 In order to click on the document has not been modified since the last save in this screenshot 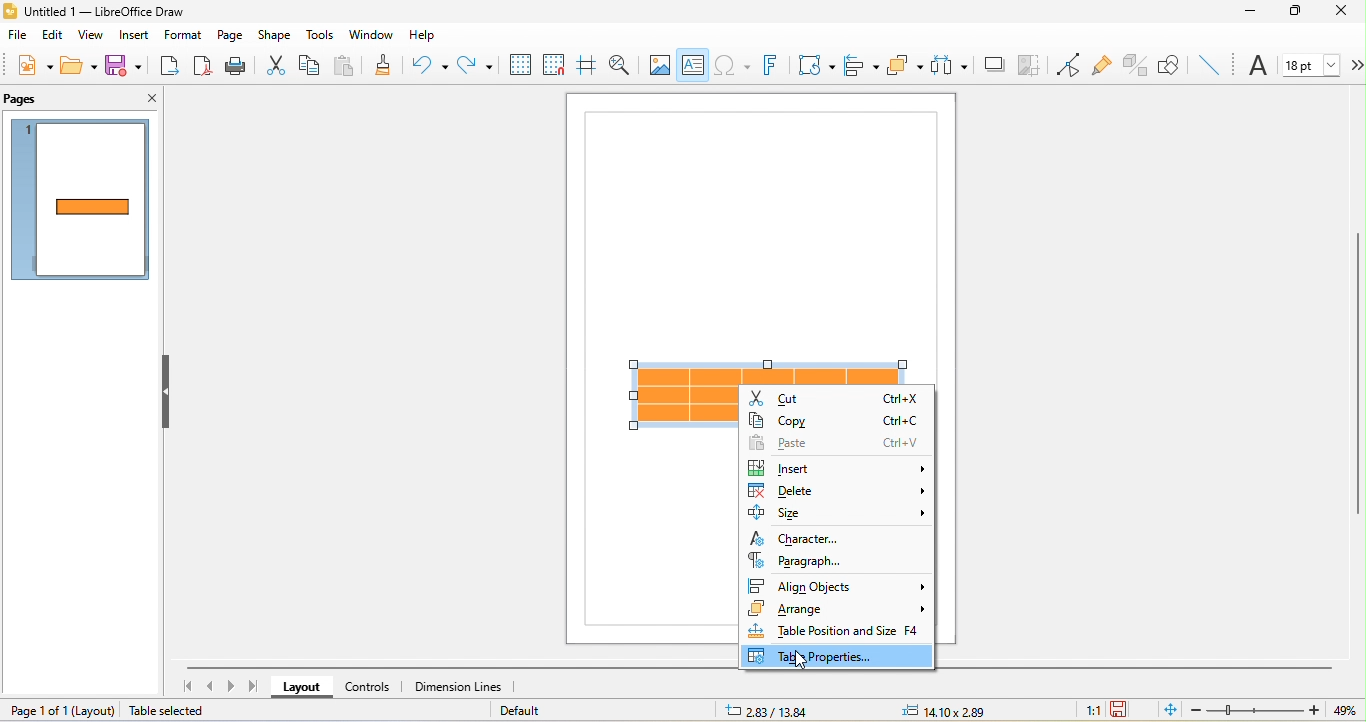, I will do `click(1130, 709)`.